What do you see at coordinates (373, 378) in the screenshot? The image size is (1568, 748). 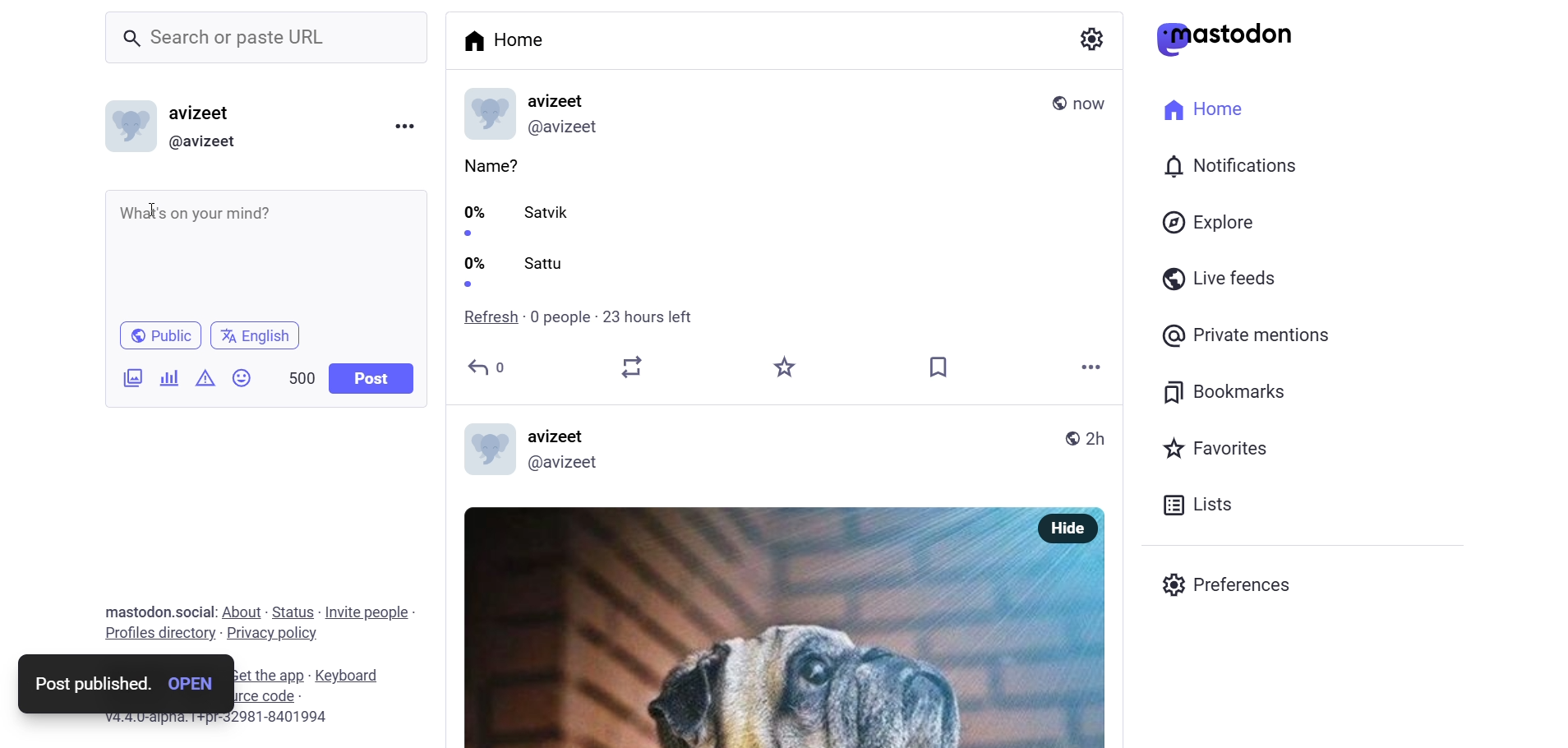 I see `post` at bounding box center [373, 378].